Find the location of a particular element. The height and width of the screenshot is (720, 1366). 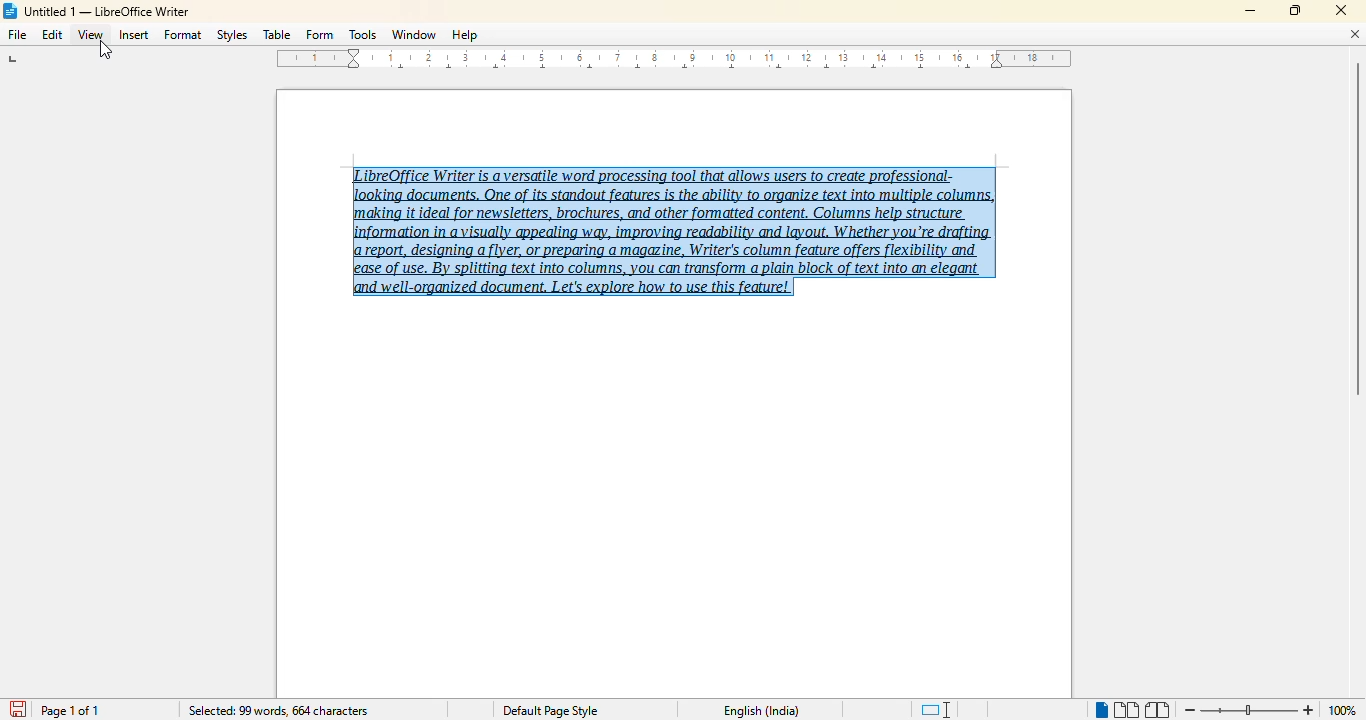

close document is located at coordinates (1356, 34).